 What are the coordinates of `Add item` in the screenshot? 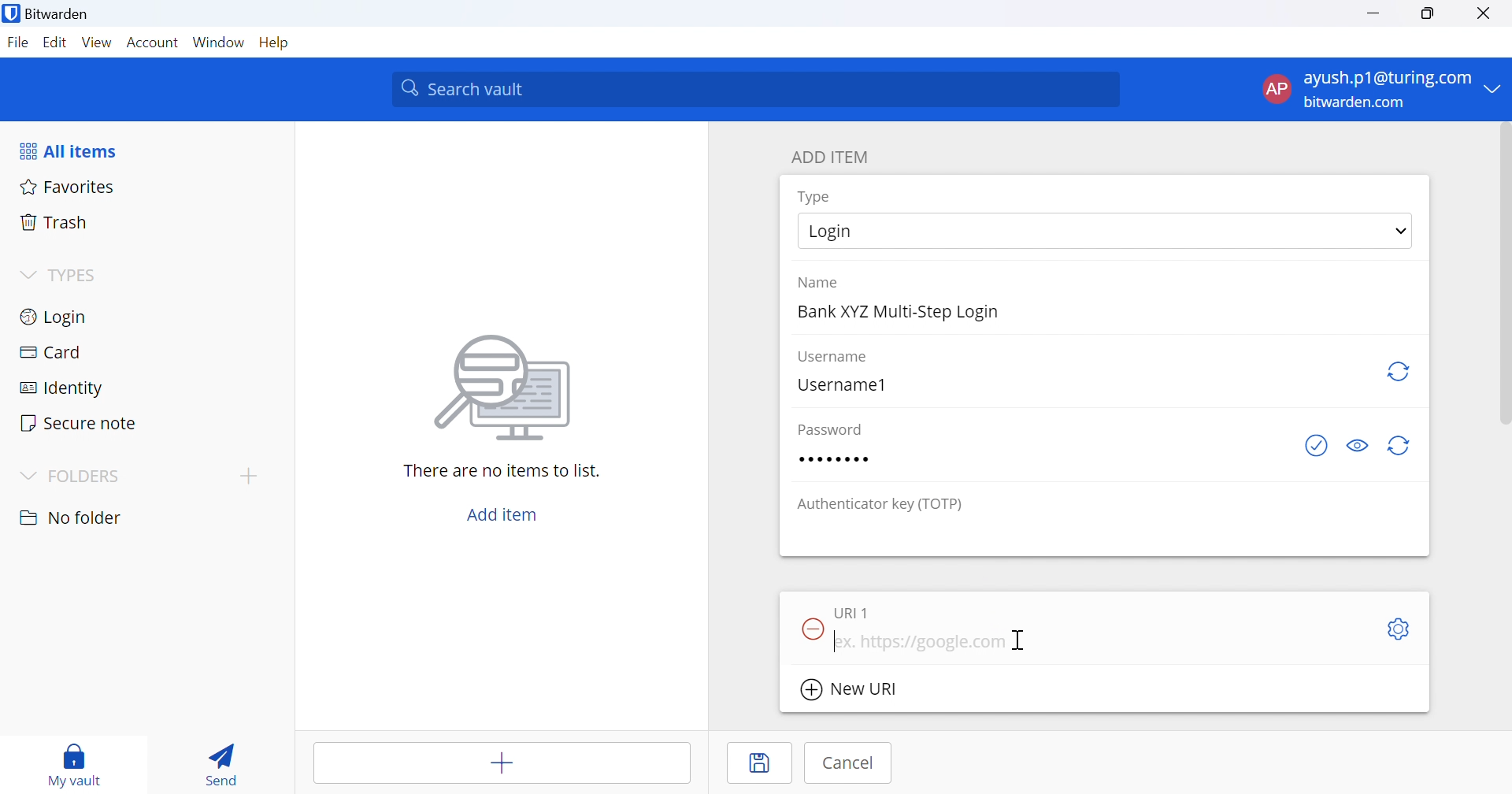 It's located at (504, 762).